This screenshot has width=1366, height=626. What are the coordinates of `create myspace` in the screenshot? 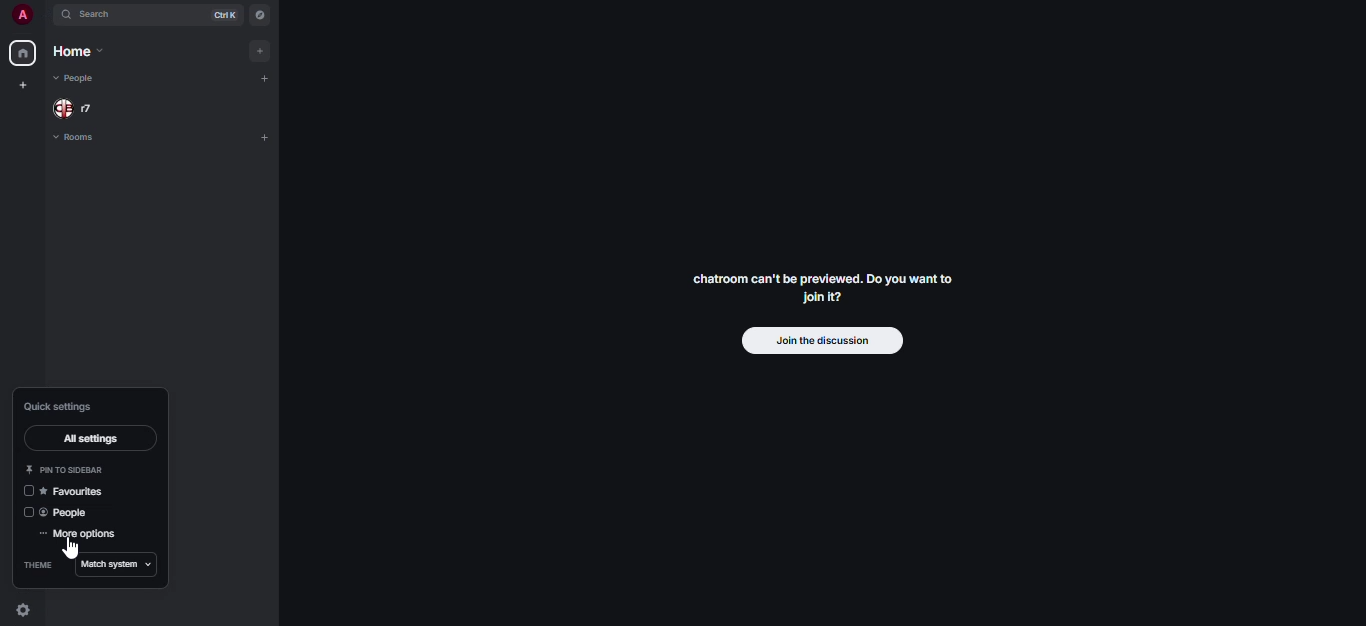 It's located at (22, 83).